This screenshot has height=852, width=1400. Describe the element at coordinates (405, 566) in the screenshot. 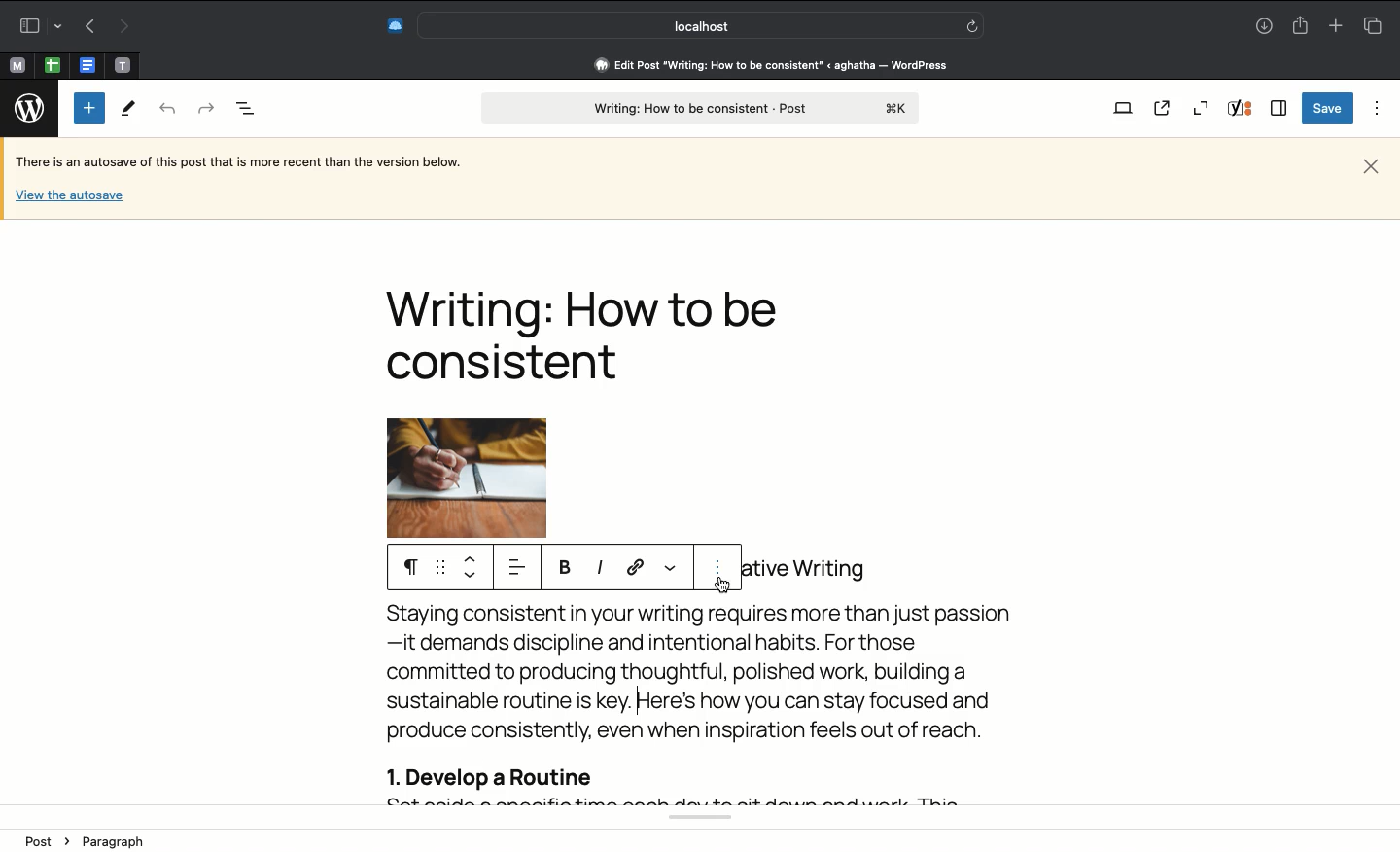

I see `Paragraph` at that location.